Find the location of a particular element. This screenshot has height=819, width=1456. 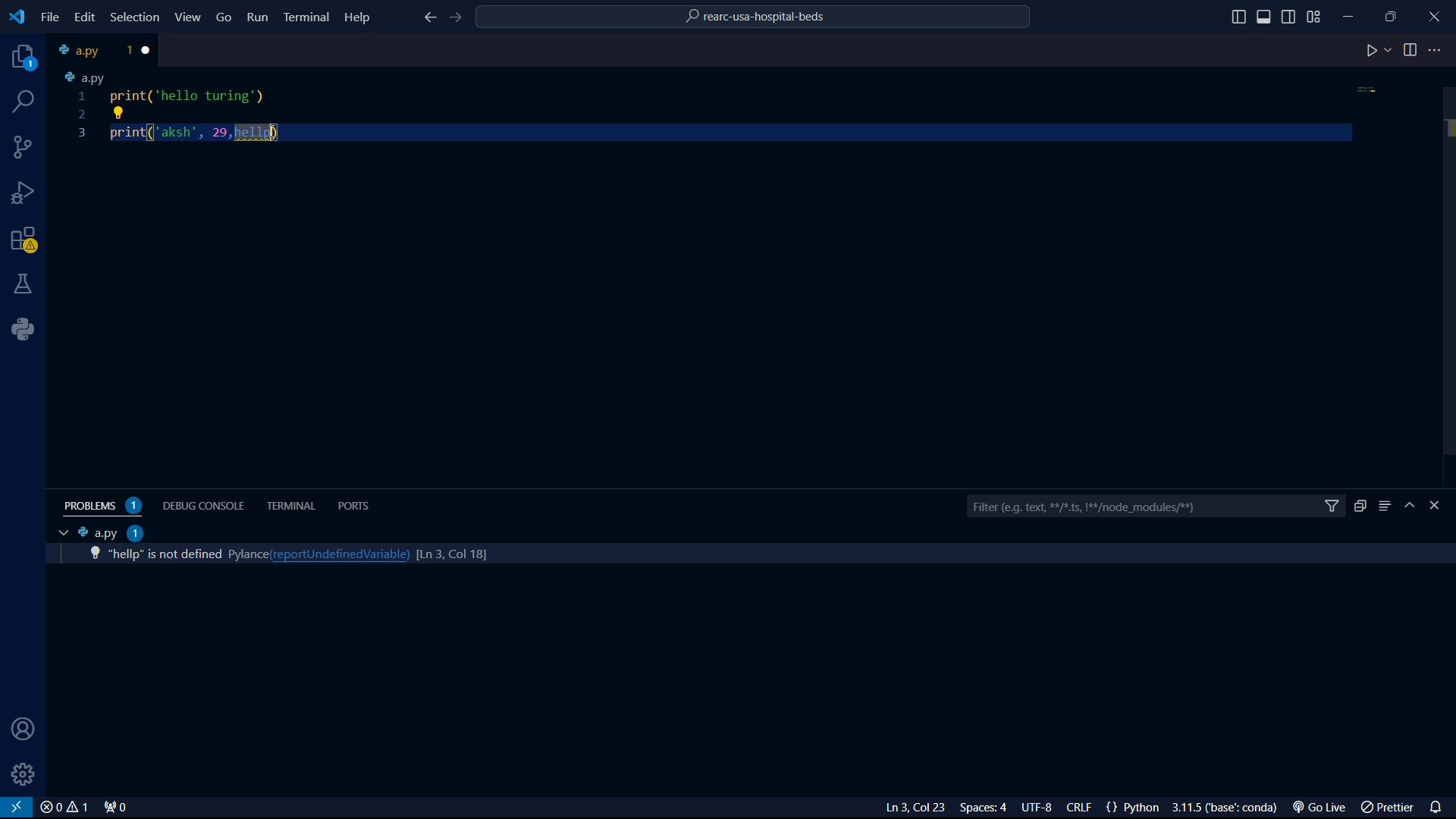

VS is located at coordinates (17, 808).